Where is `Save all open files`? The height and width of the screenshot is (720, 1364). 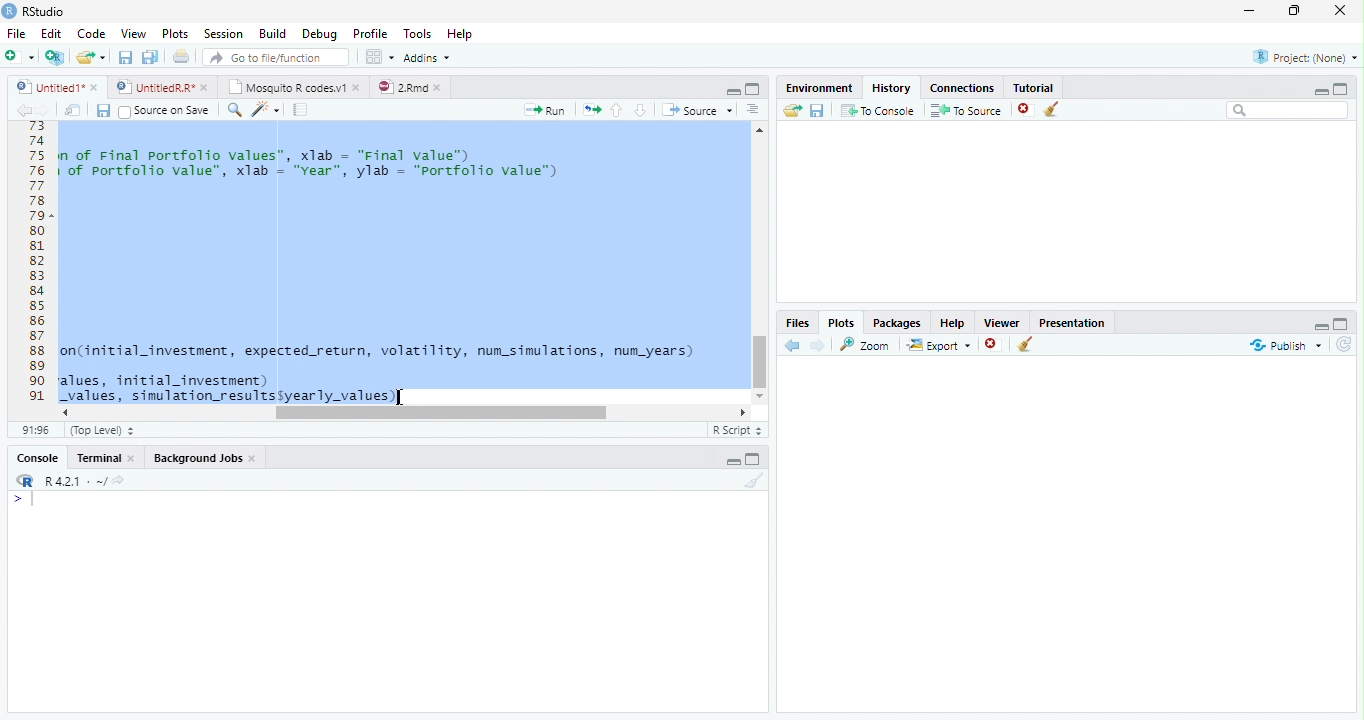
Save all open files is located at coordinates (149, 57).